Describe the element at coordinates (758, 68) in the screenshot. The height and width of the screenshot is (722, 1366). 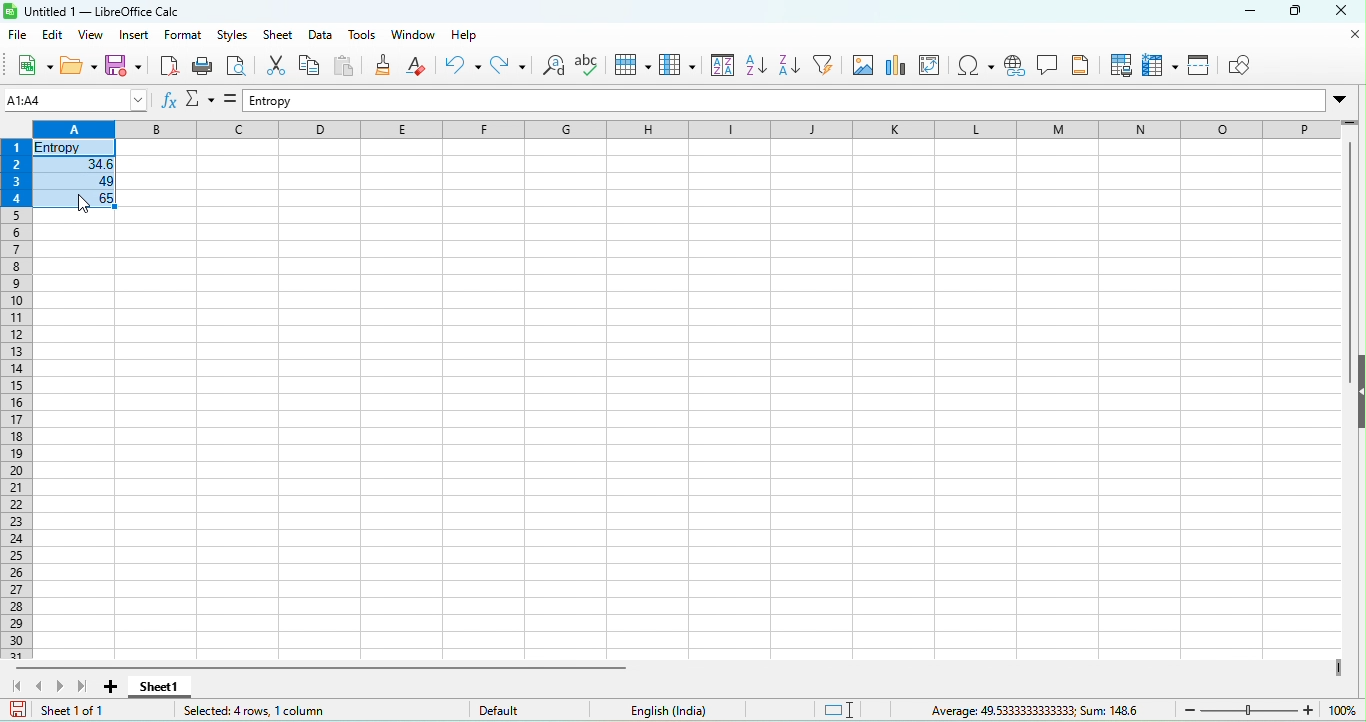
I see `sort ascending ` at that location.